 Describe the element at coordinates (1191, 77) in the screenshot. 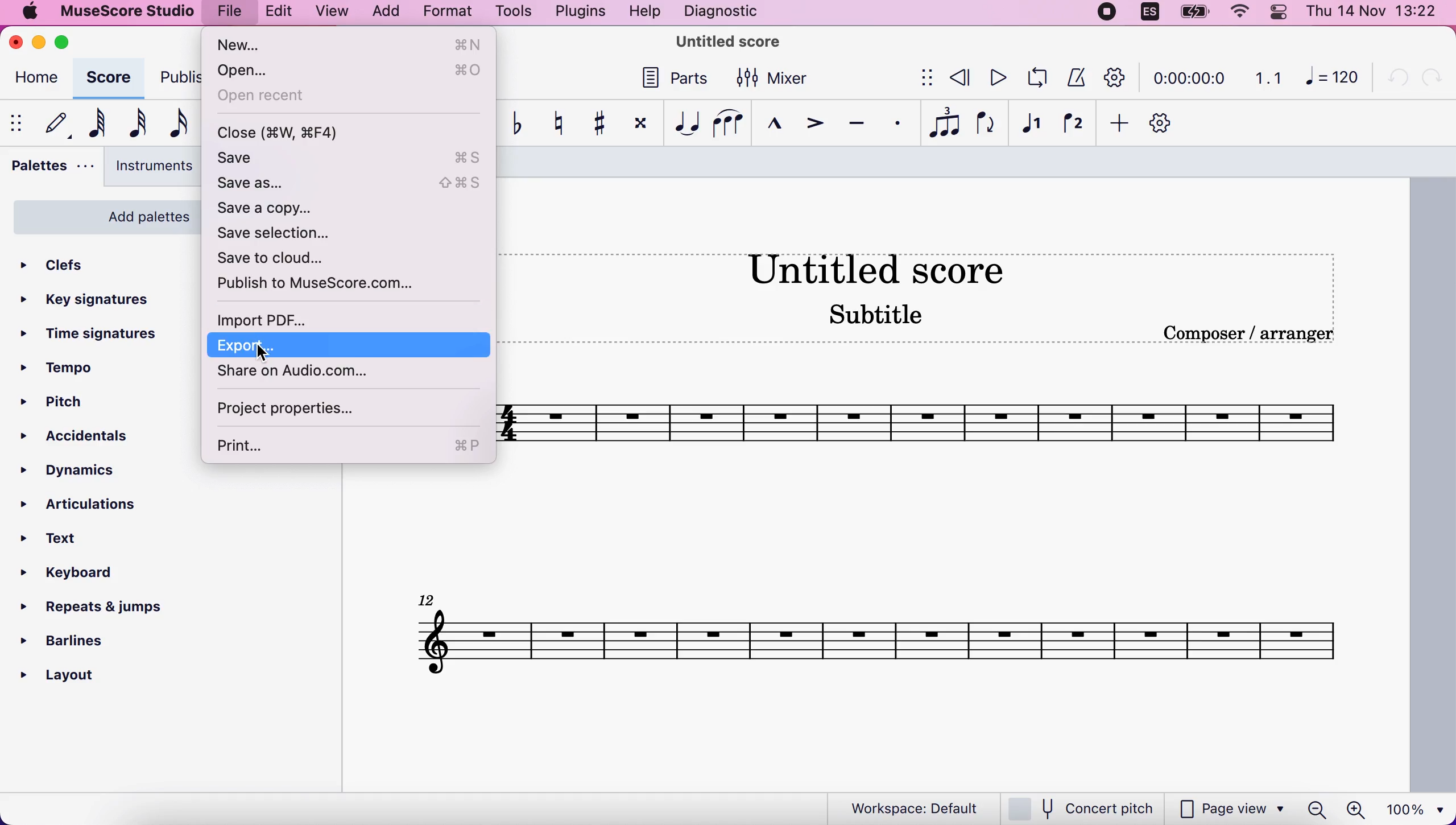

I see `time` at that location.